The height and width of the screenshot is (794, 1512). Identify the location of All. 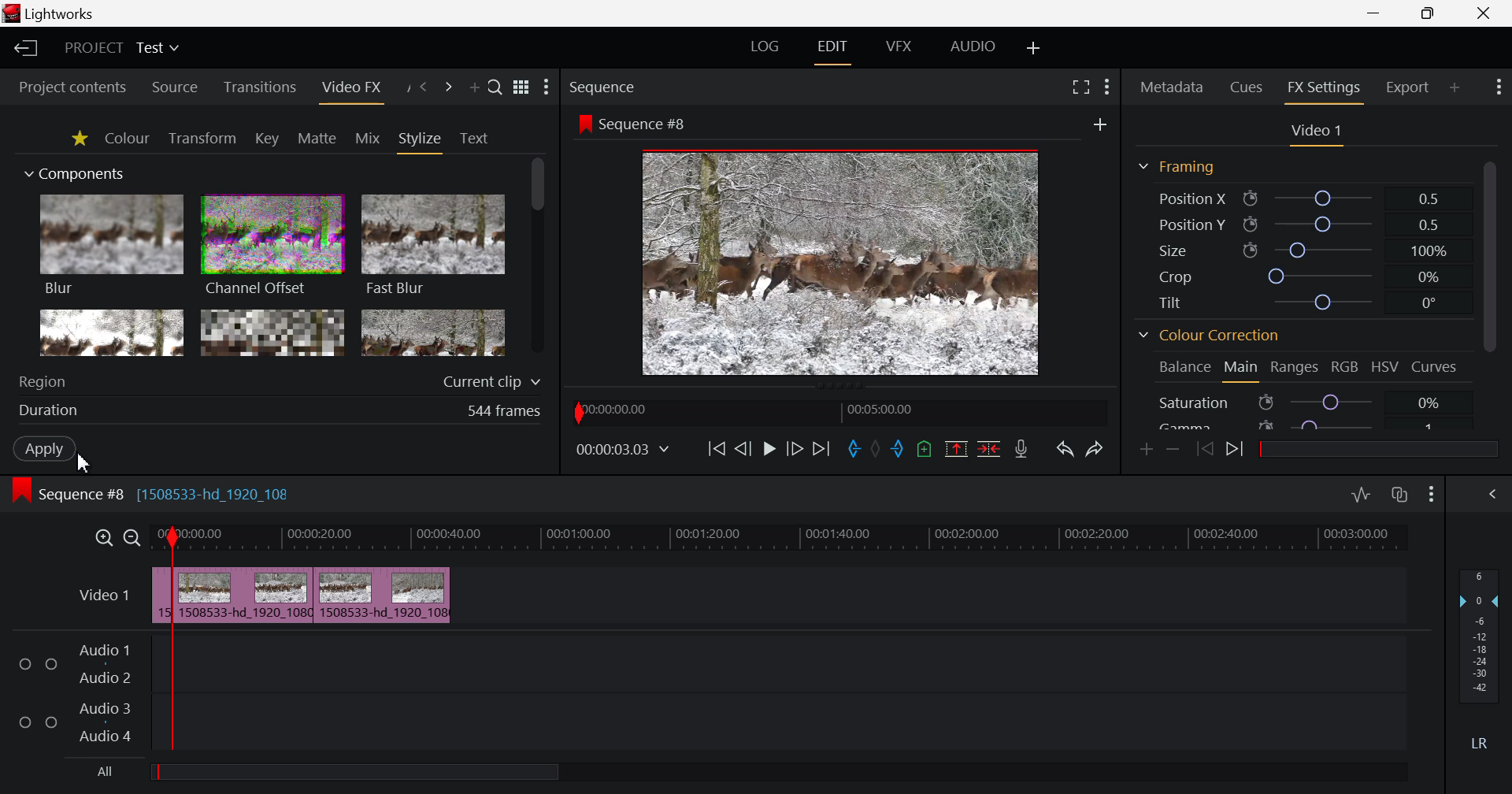
(346, 777).